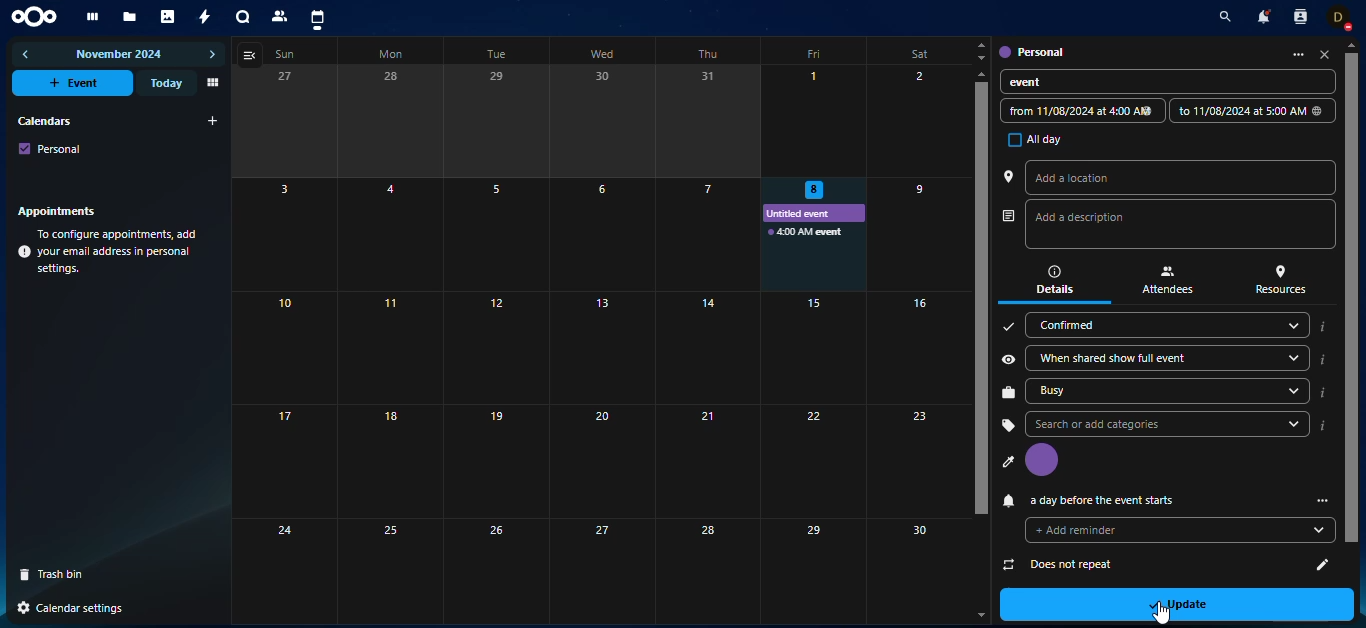  I want to click on event, so click(75, 83).